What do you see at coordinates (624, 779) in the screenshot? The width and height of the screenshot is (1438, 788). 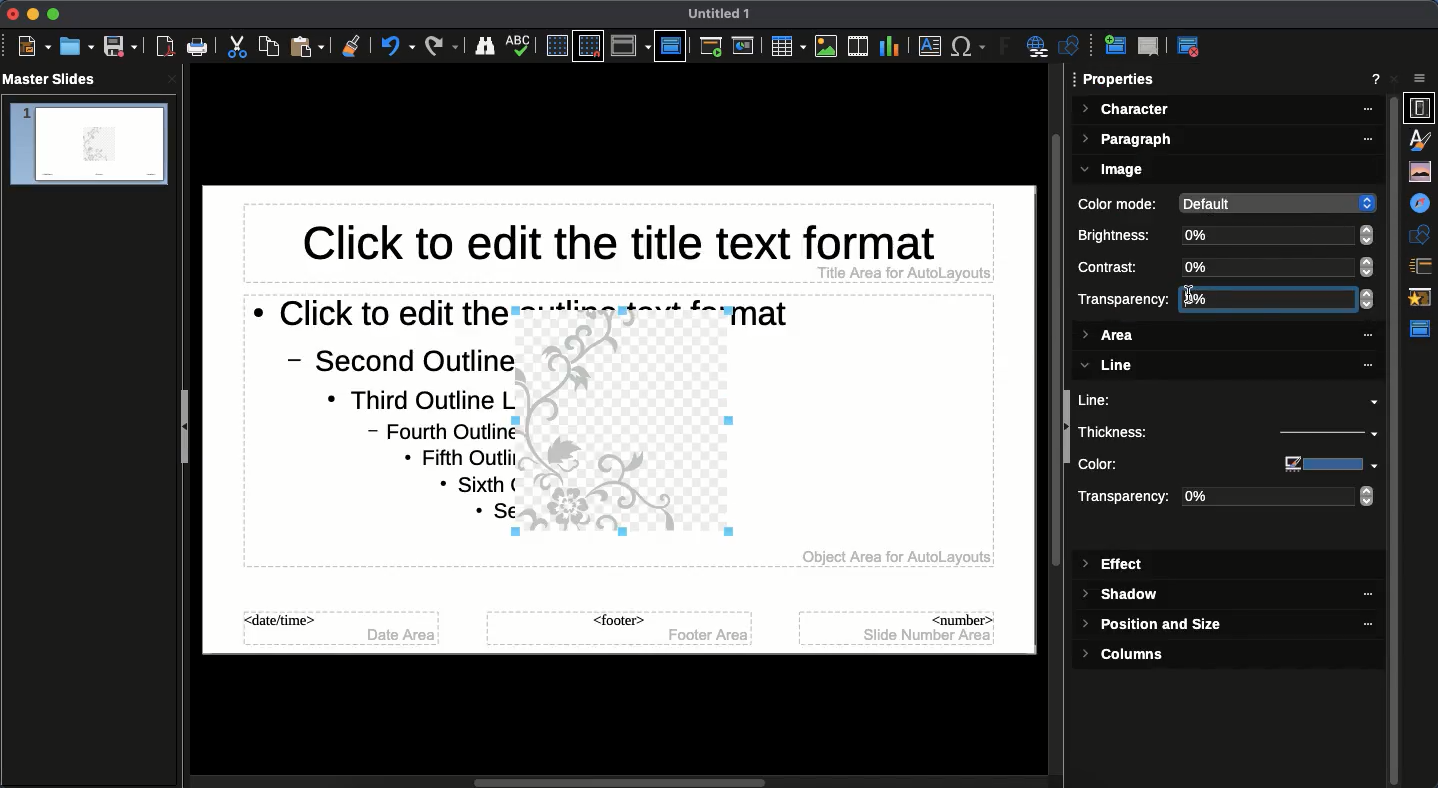 I see `horizontal Scroll bar` at bounding box center [624, 779].